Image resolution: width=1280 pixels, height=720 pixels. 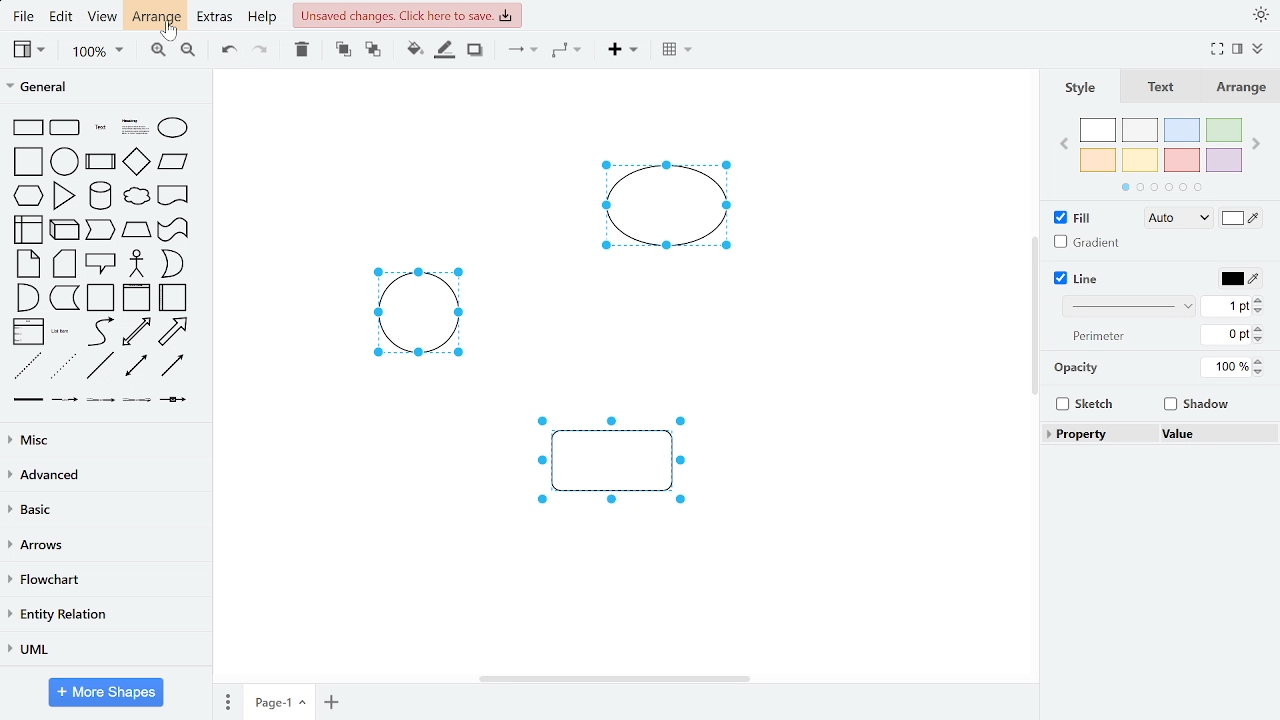 I want to click on 100%, so click(x=1223, y=367).